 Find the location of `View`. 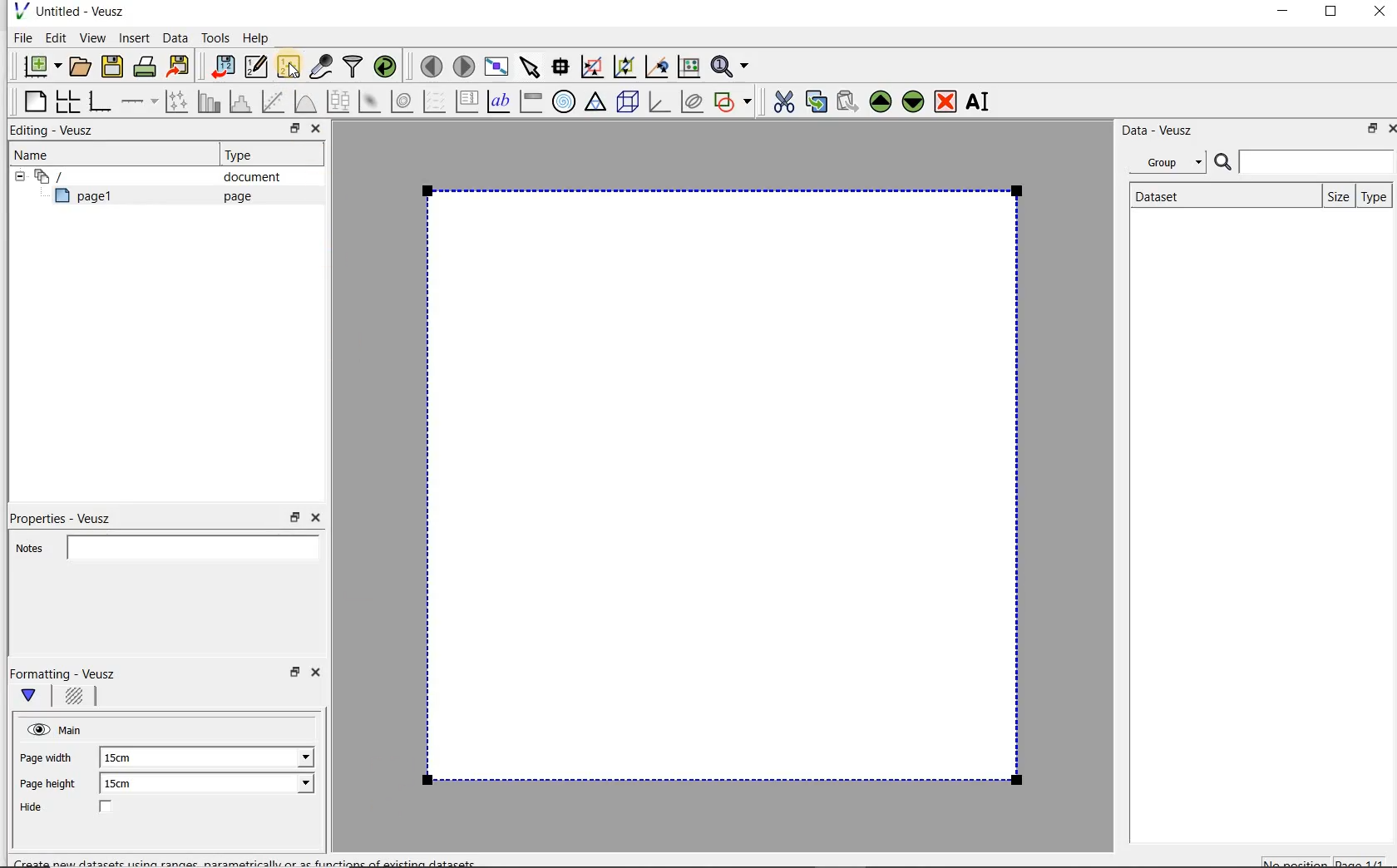

View is located at coordinates (92, 36).